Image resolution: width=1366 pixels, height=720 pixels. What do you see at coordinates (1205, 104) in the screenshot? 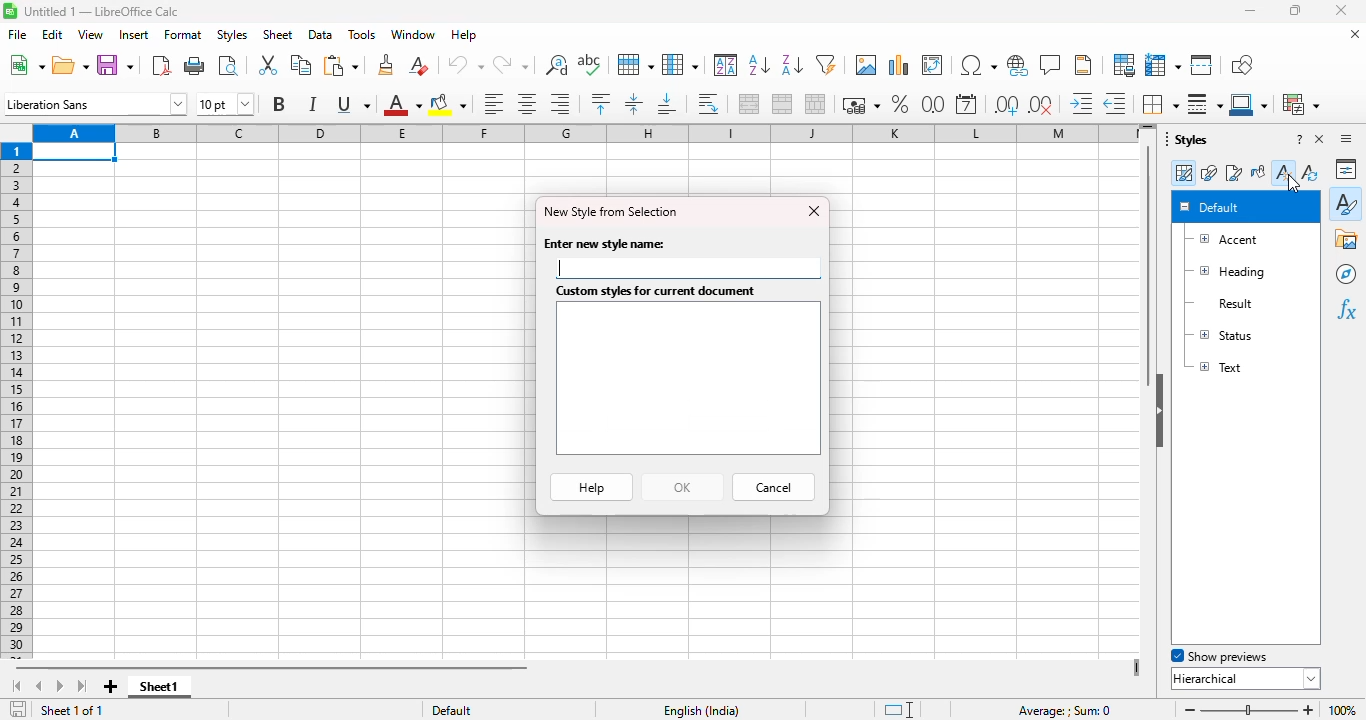
I see `border style` at bounding box center [1205, 104].